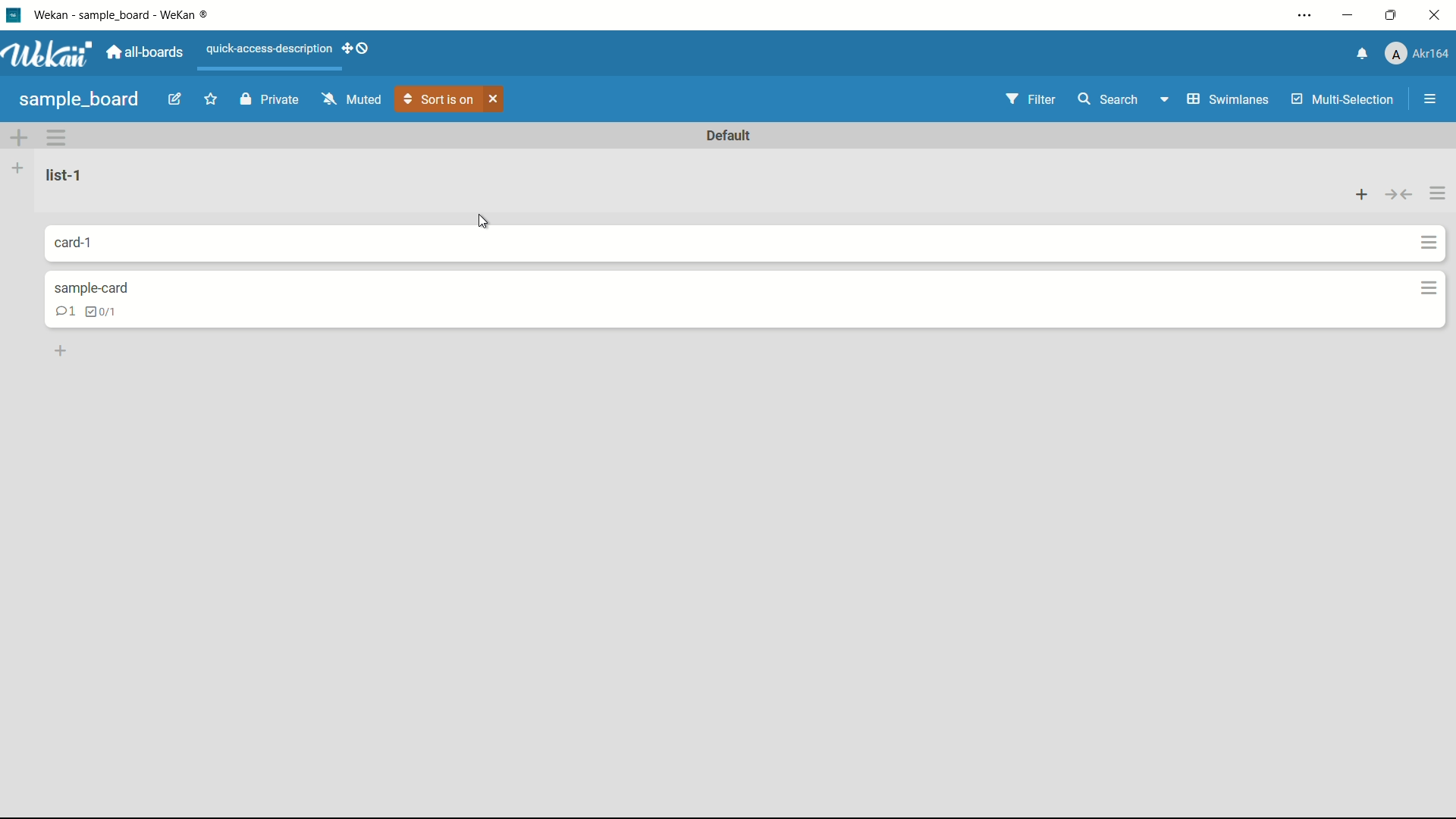 The width and height of the screenshot is (1456, 819). What do you see at coordinates (1393, 15) in the screenshot?
I see `maximize` at bounding box center [1393, 15].